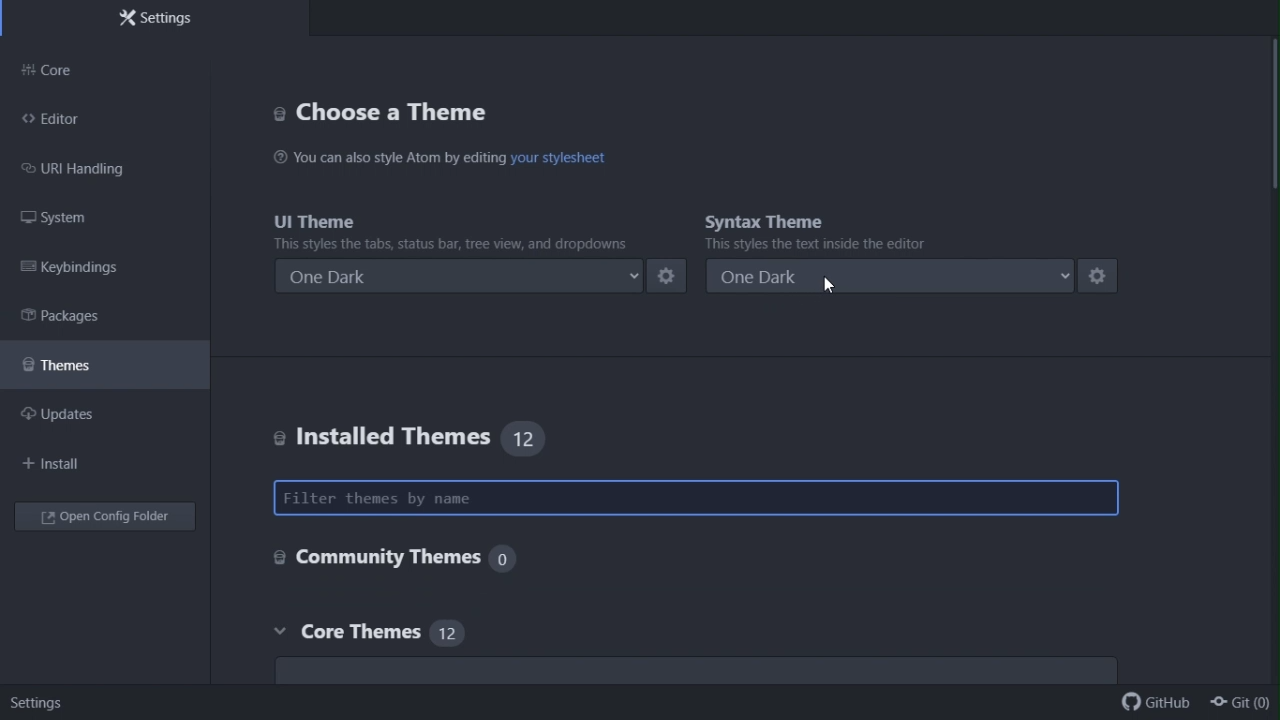  I want to click on Filter themes by name, so click(696, 498).